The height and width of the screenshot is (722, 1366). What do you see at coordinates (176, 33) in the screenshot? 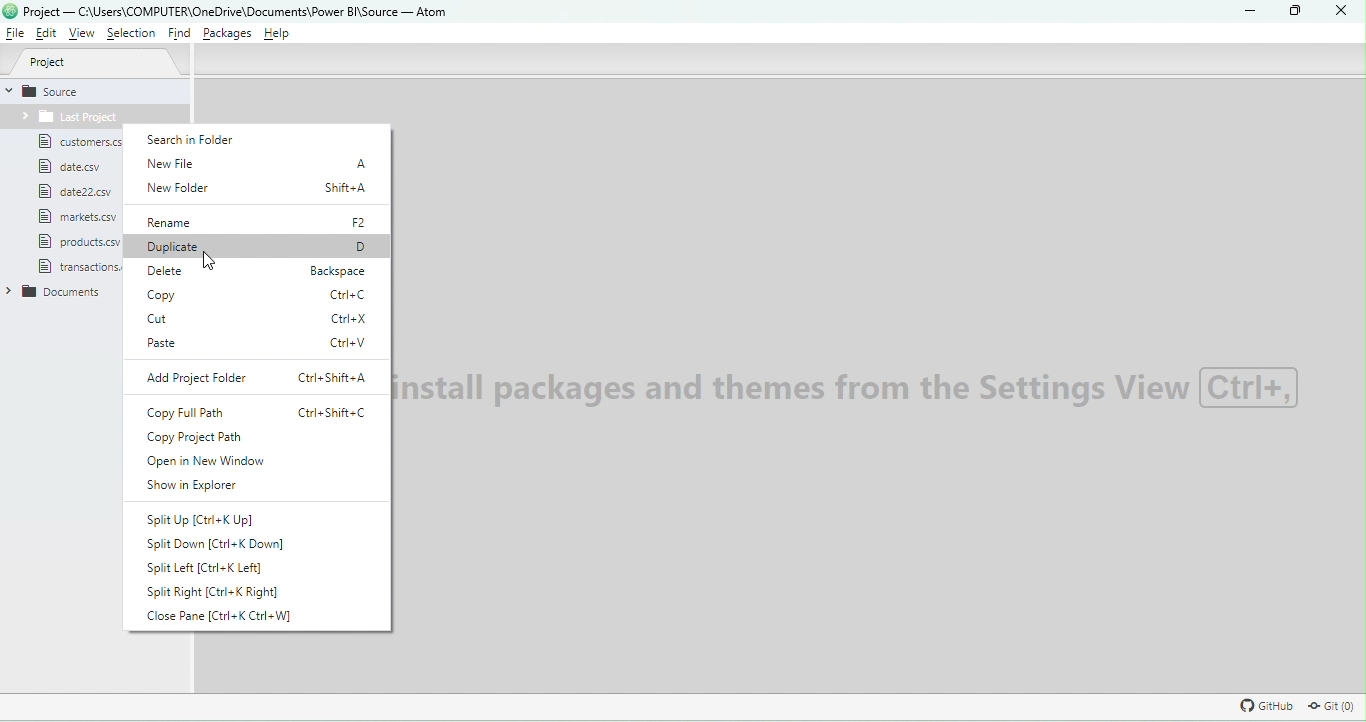
I see `Find` at bounding box center [176, 33].